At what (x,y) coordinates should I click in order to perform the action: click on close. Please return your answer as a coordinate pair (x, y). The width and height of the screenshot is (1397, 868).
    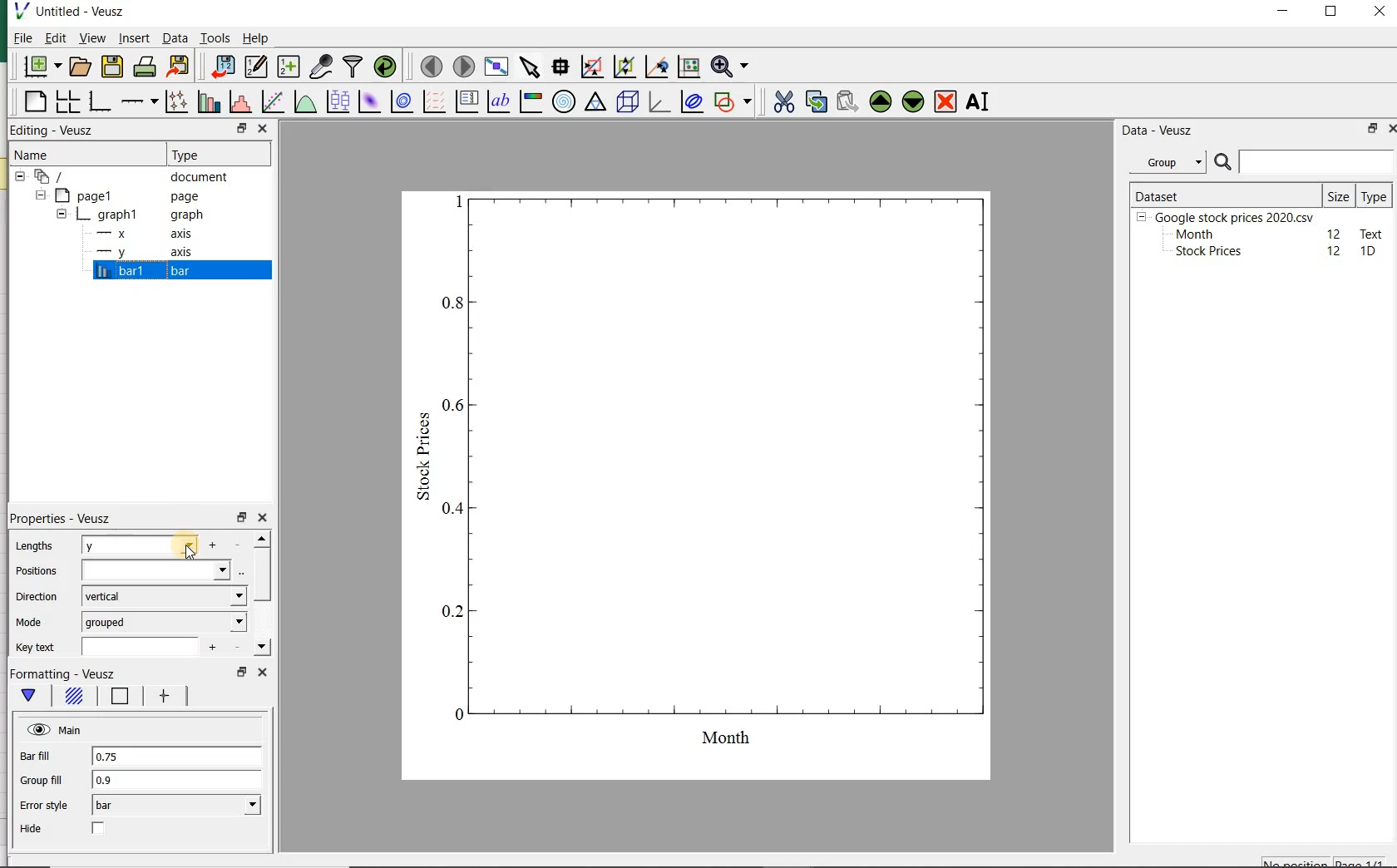
    Looking at the image, I should click on (1380, 12).